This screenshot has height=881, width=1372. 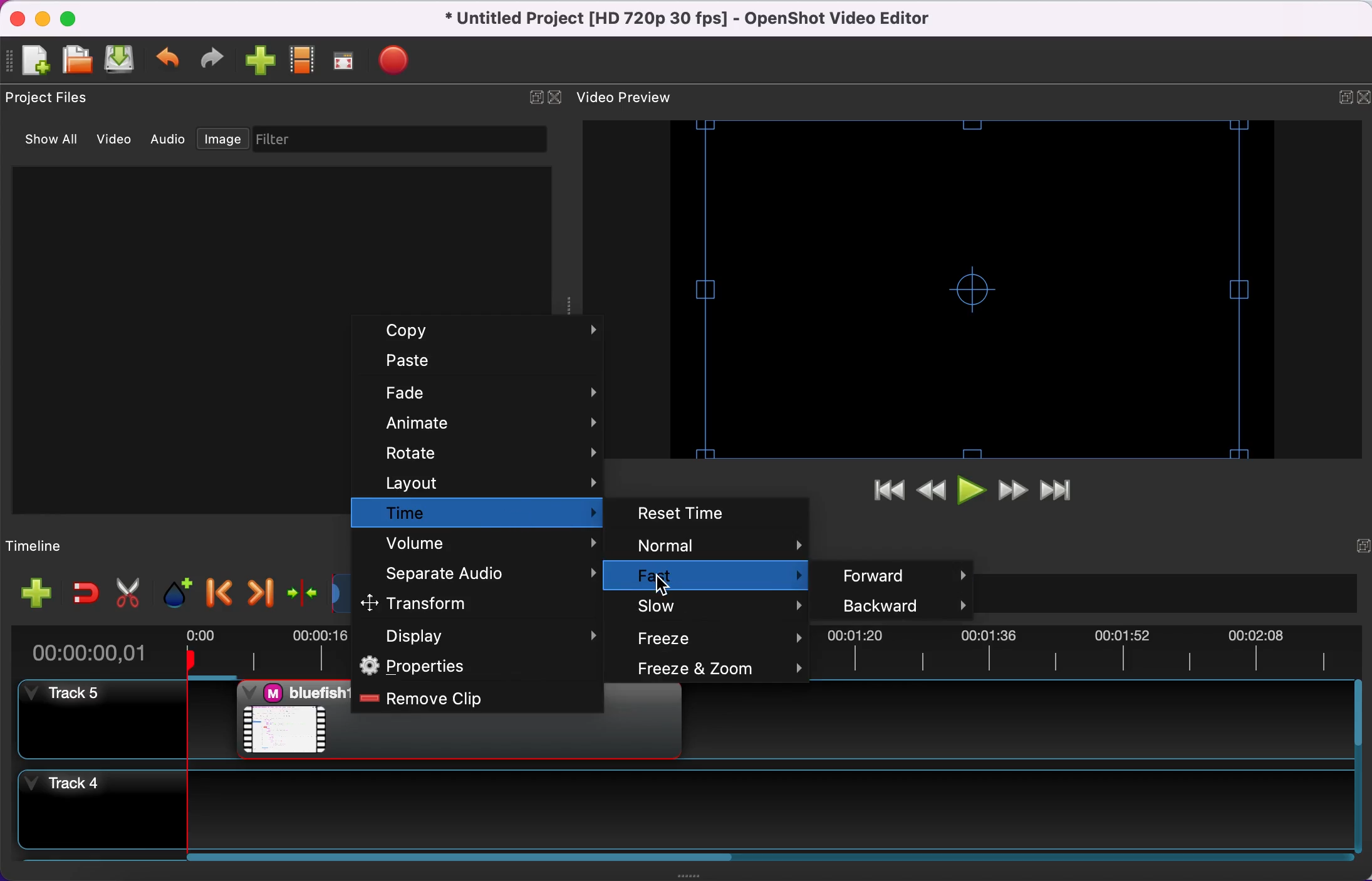 What do you see at coordinates (486, 456) in the screenshot?
I see `rotate` at bounding box center [486, 456].